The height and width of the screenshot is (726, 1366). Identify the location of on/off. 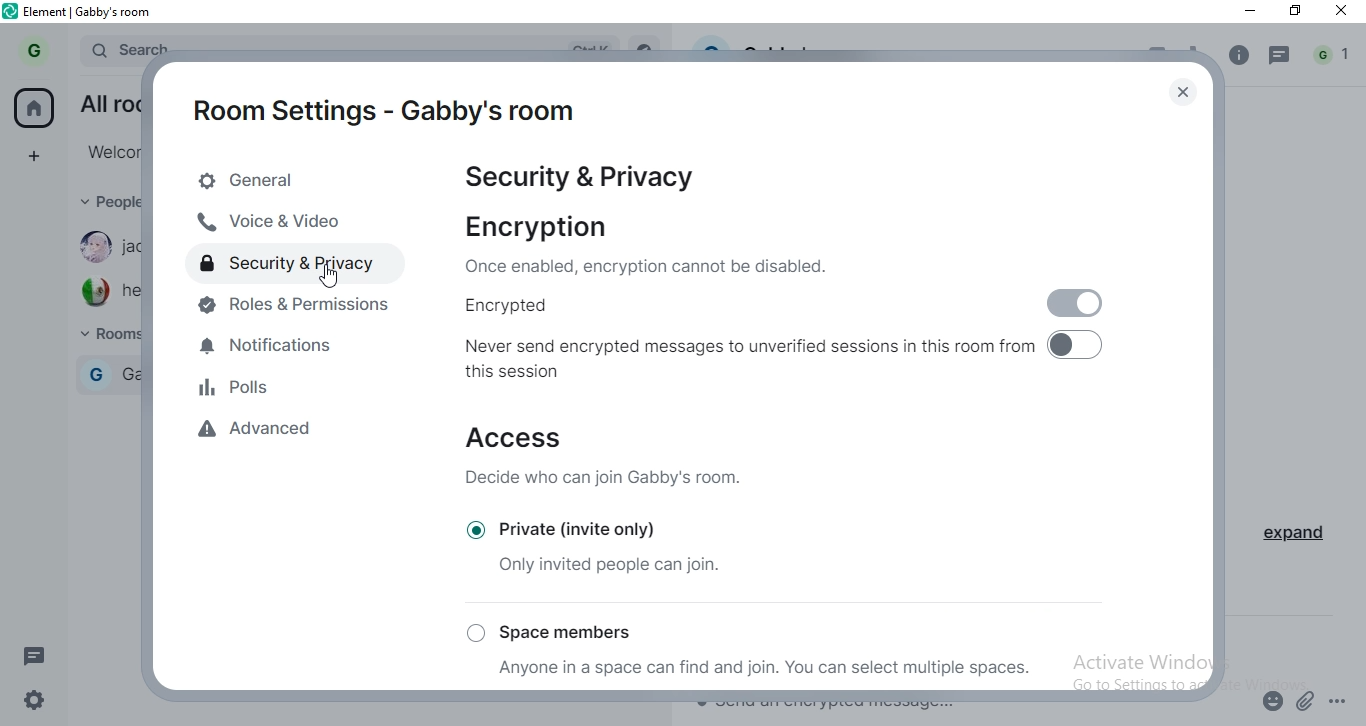
(1075, 300).